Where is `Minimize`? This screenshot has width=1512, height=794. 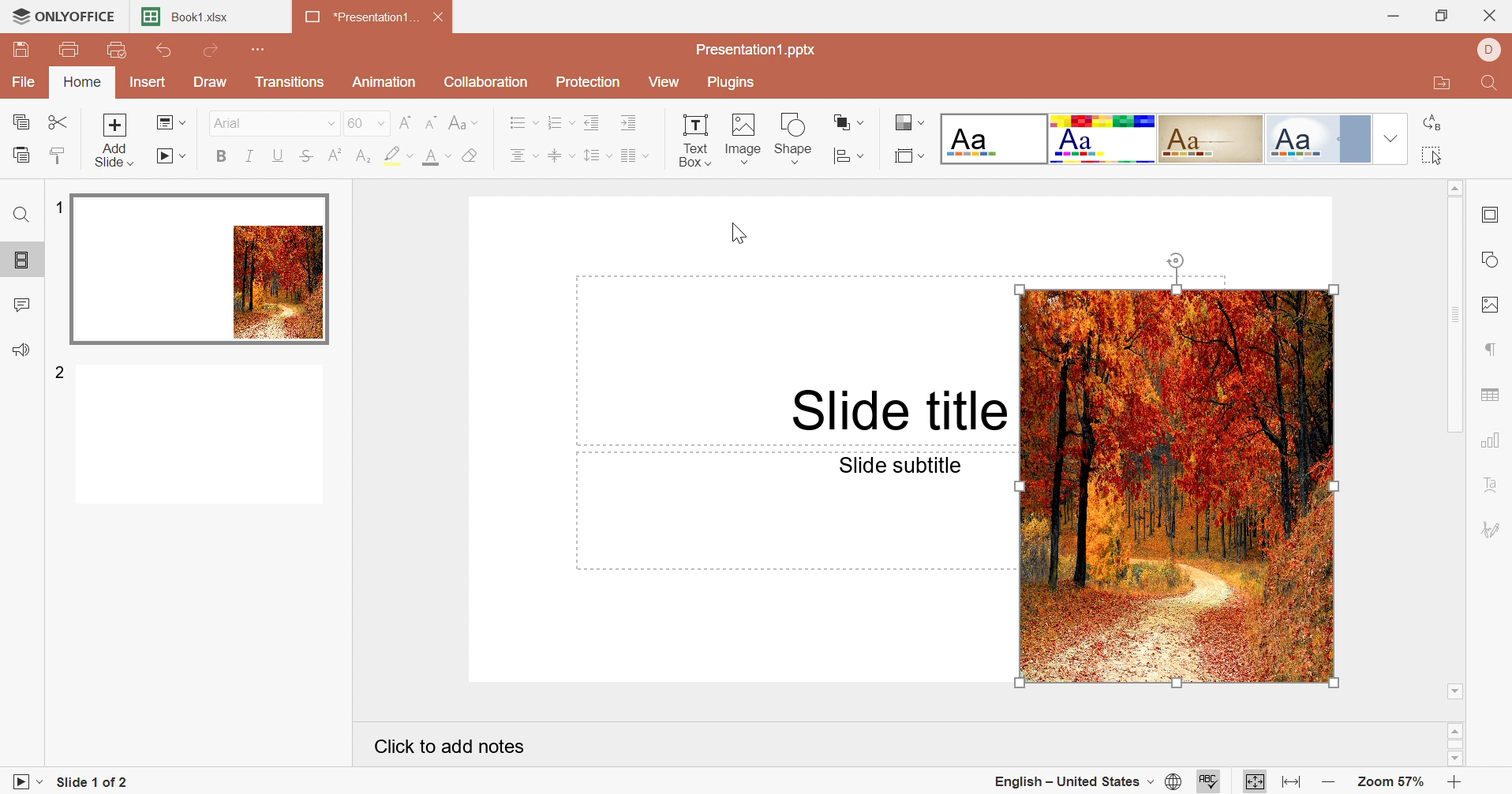 Minimize is located at coordinates (1387, 14).